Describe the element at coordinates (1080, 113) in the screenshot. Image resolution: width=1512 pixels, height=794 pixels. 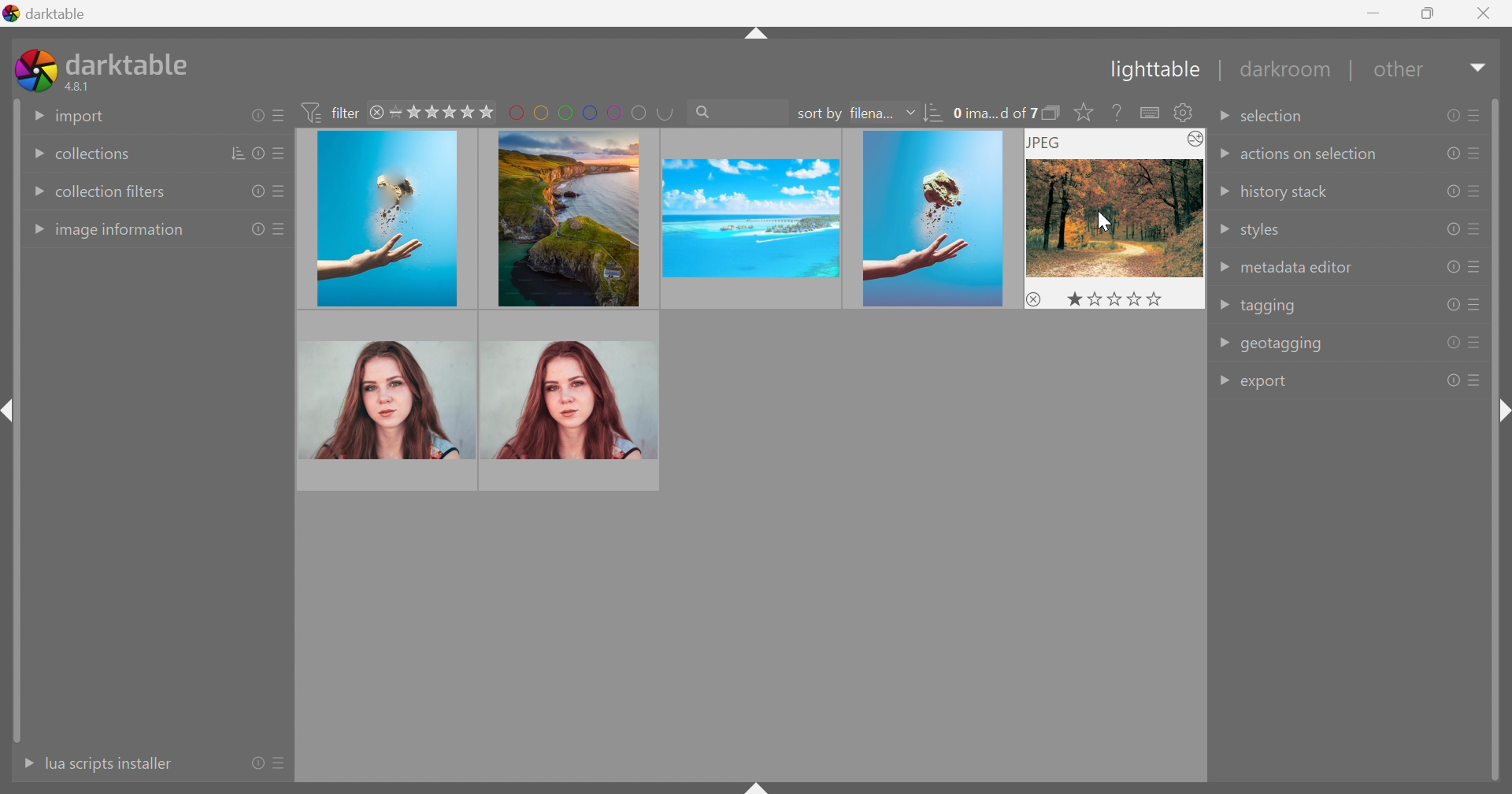
I see `click to change the size of overlays on thumbnails` at that location.